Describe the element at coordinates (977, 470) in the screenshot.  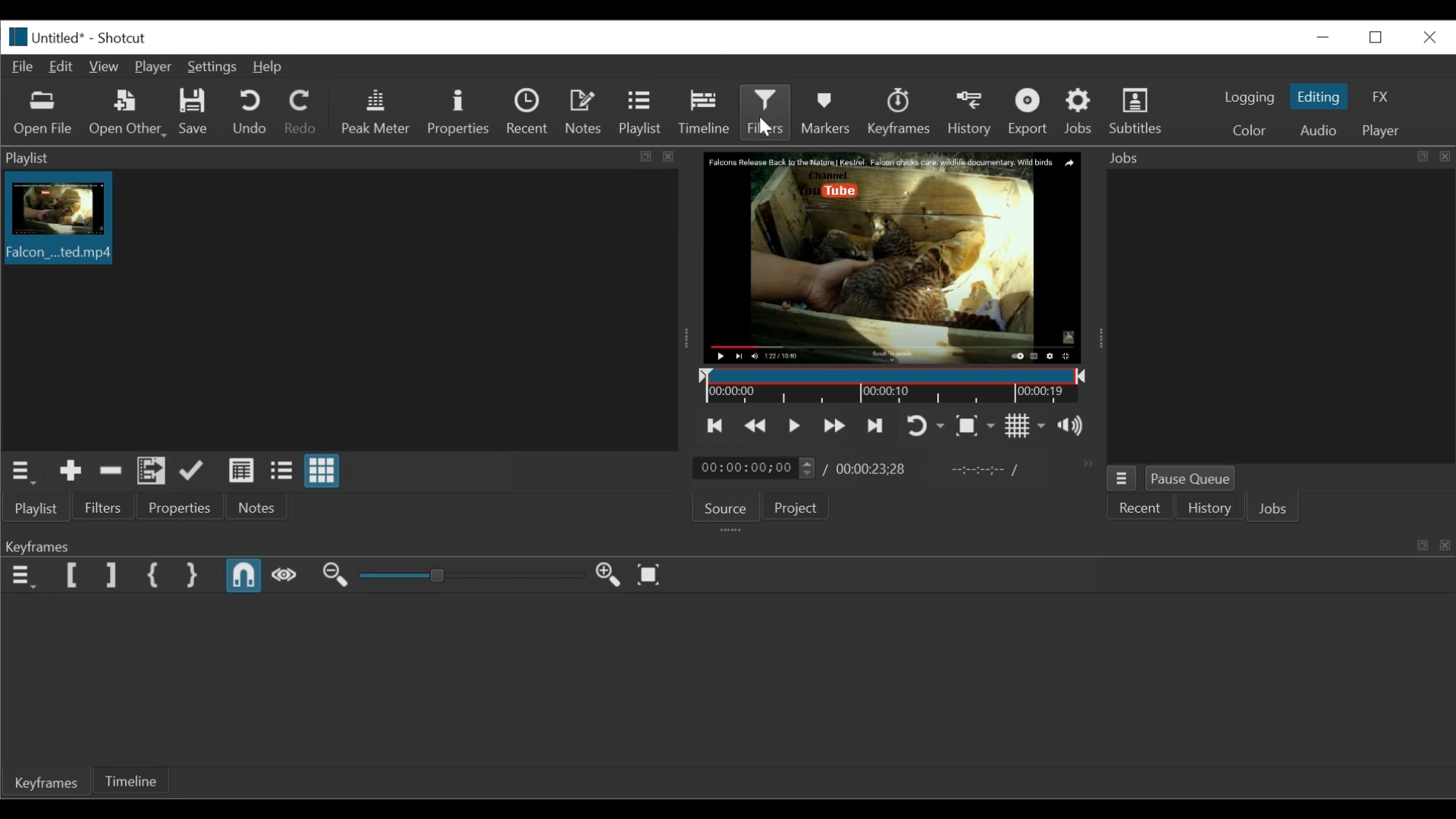
I see `In point` at that location.